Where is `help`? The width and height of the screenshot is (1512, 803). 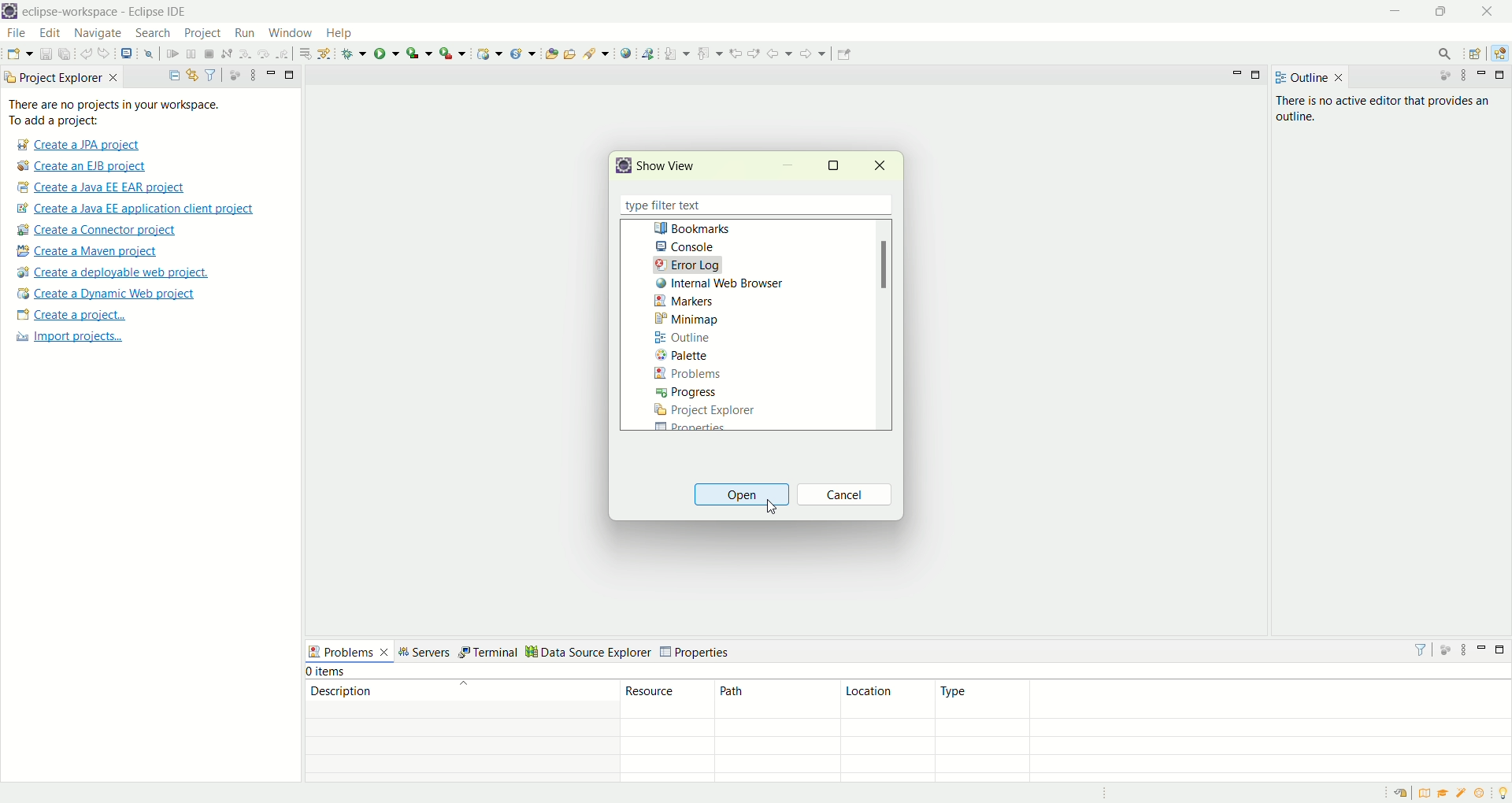
help is located at coordinates (336, 33).